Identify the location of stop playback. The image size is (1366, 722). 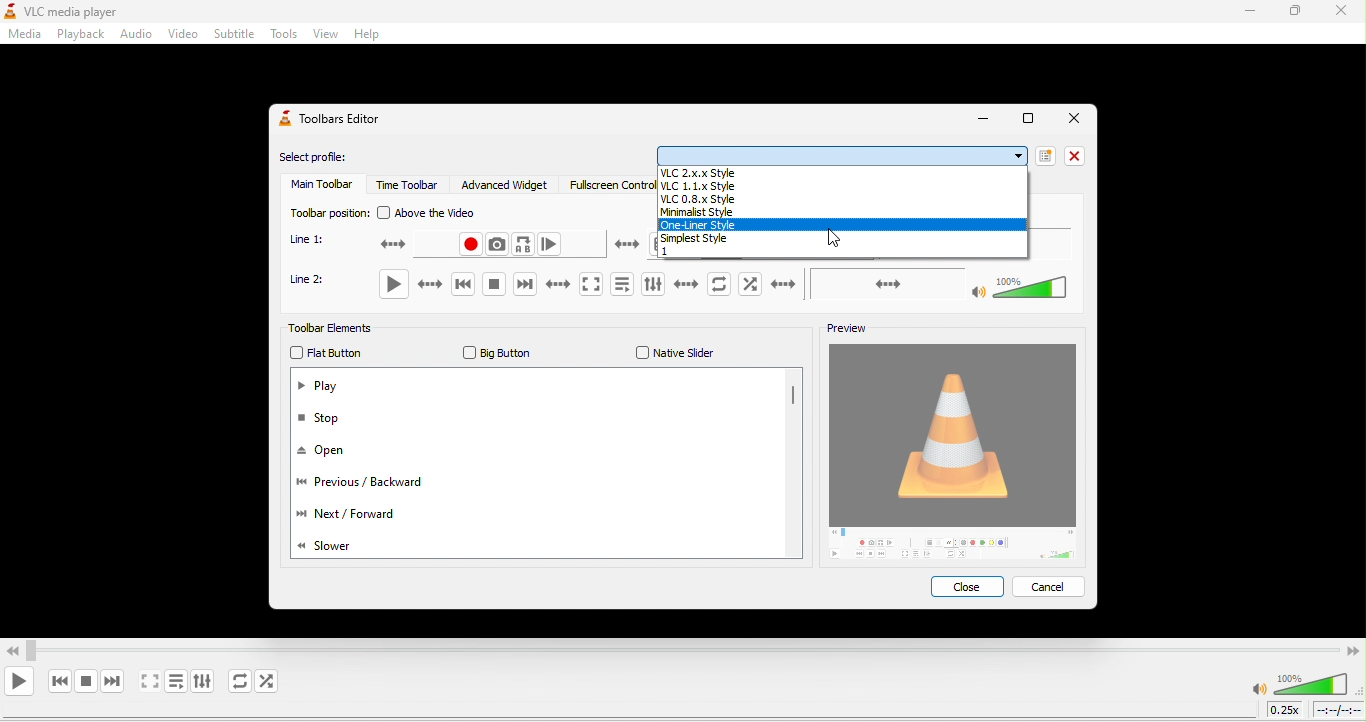
(490, 282).